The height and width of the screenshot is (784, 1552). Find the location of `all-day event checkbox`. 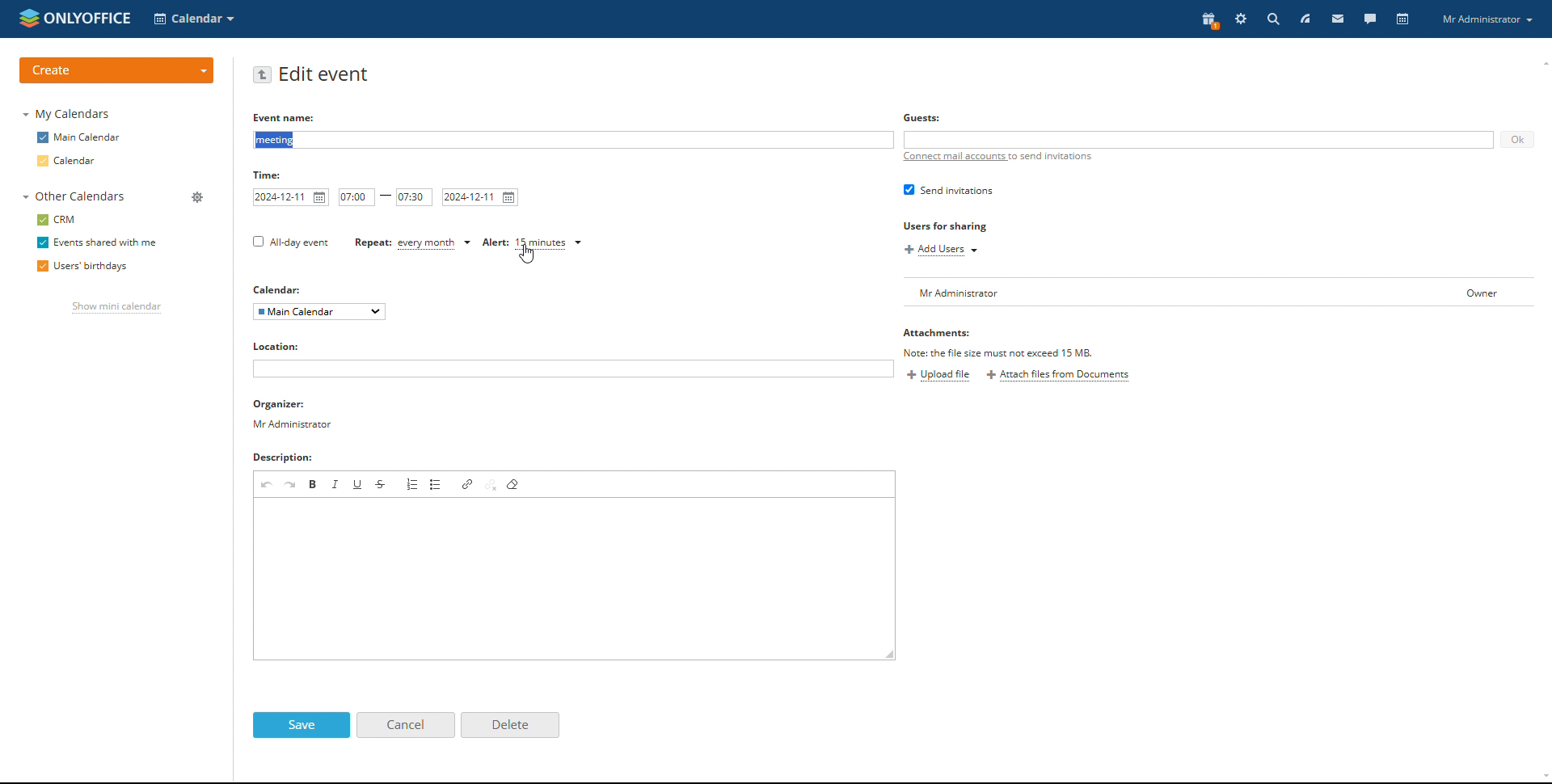

all-day event checkbox is located at coordinates (289, 242).